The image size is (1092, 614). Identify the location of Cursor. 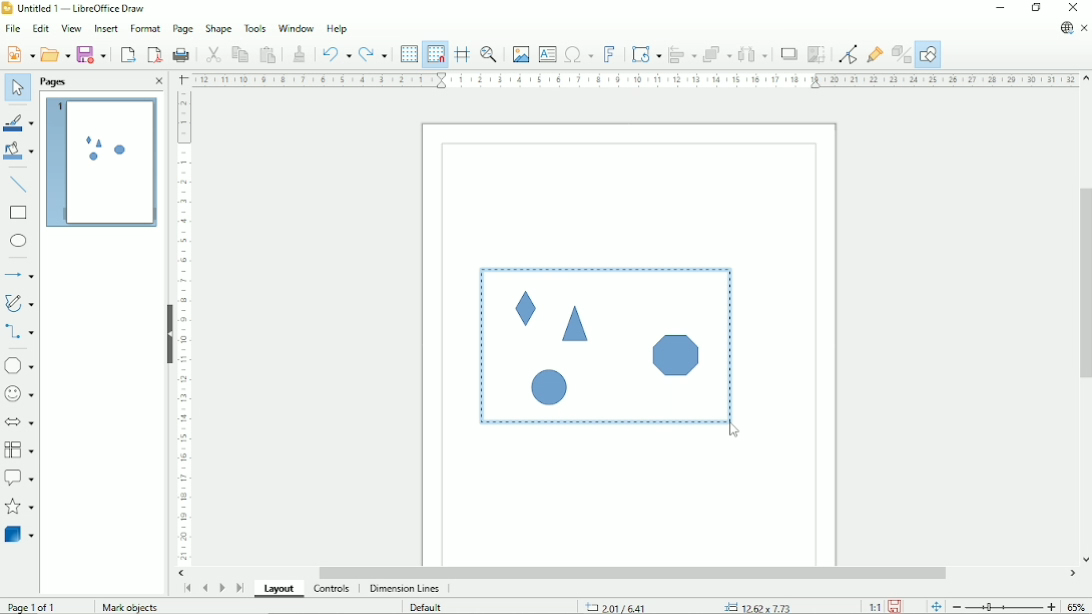
(734, 432).